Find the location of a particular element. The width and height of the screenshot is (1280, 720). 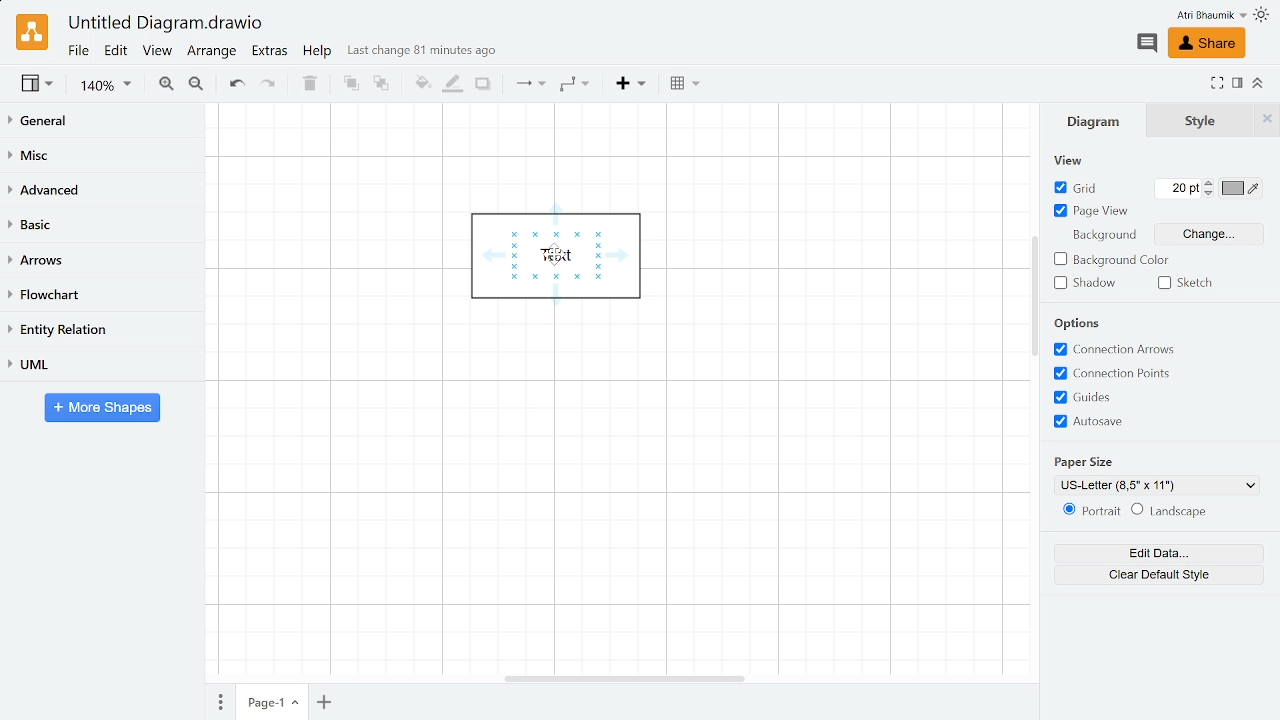

Landscape is located at coordinates (1193, 512).